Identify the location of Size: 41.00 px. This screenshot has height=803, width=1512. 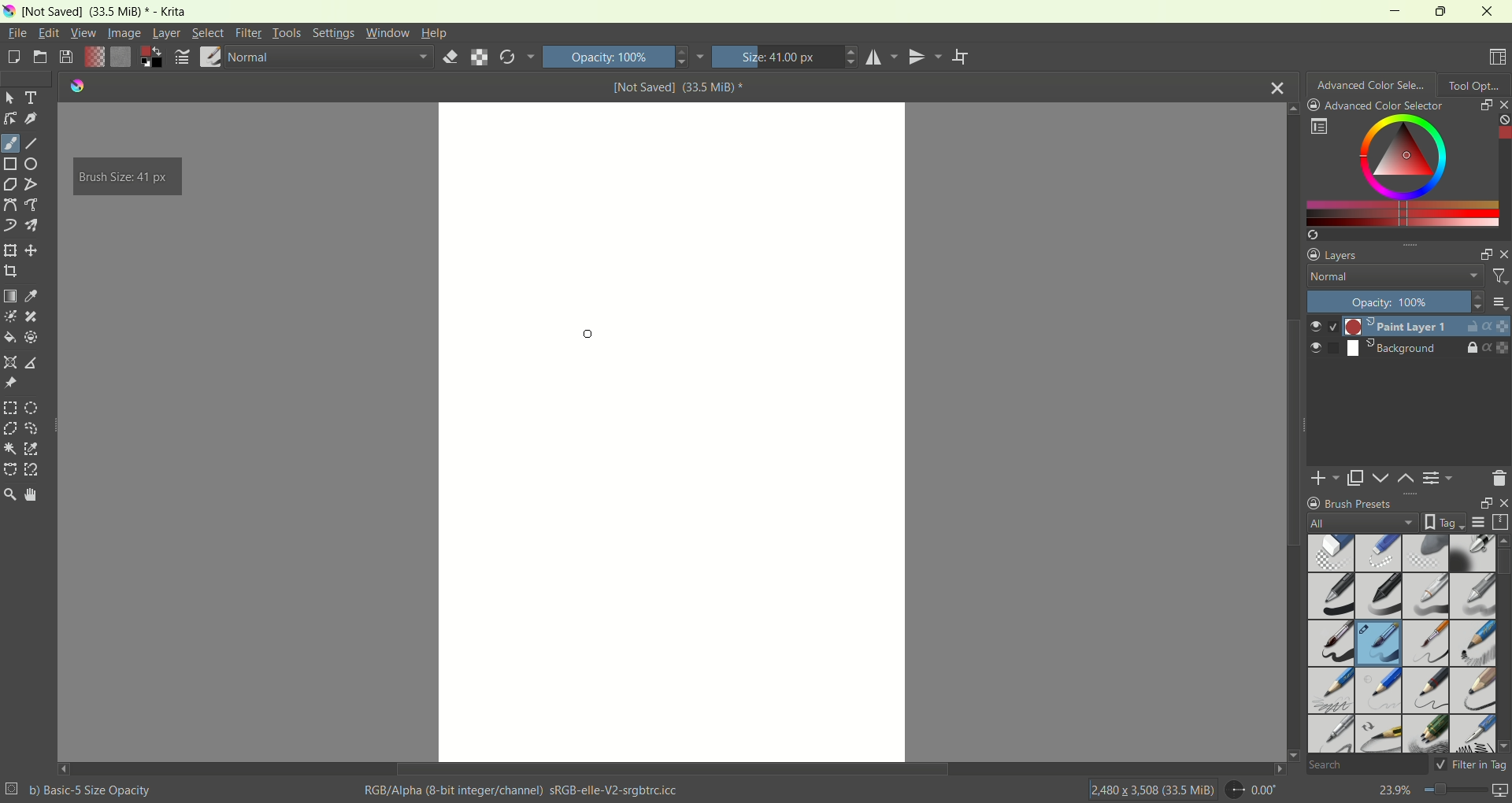
(785, 57).